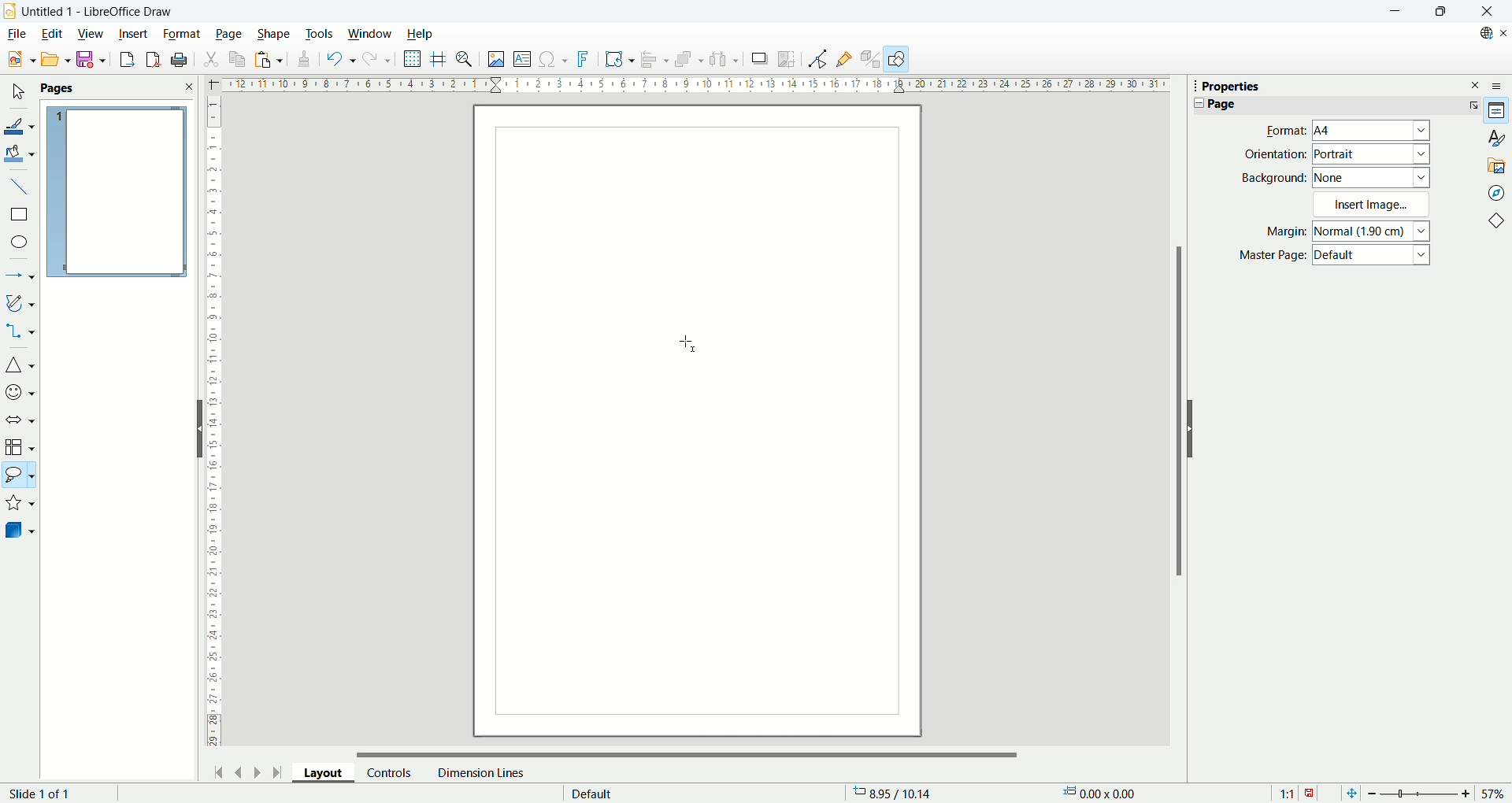  What do you see at coordinates (91, 32) in the screenshot?
I see `view` at bounding box center [91, 32].